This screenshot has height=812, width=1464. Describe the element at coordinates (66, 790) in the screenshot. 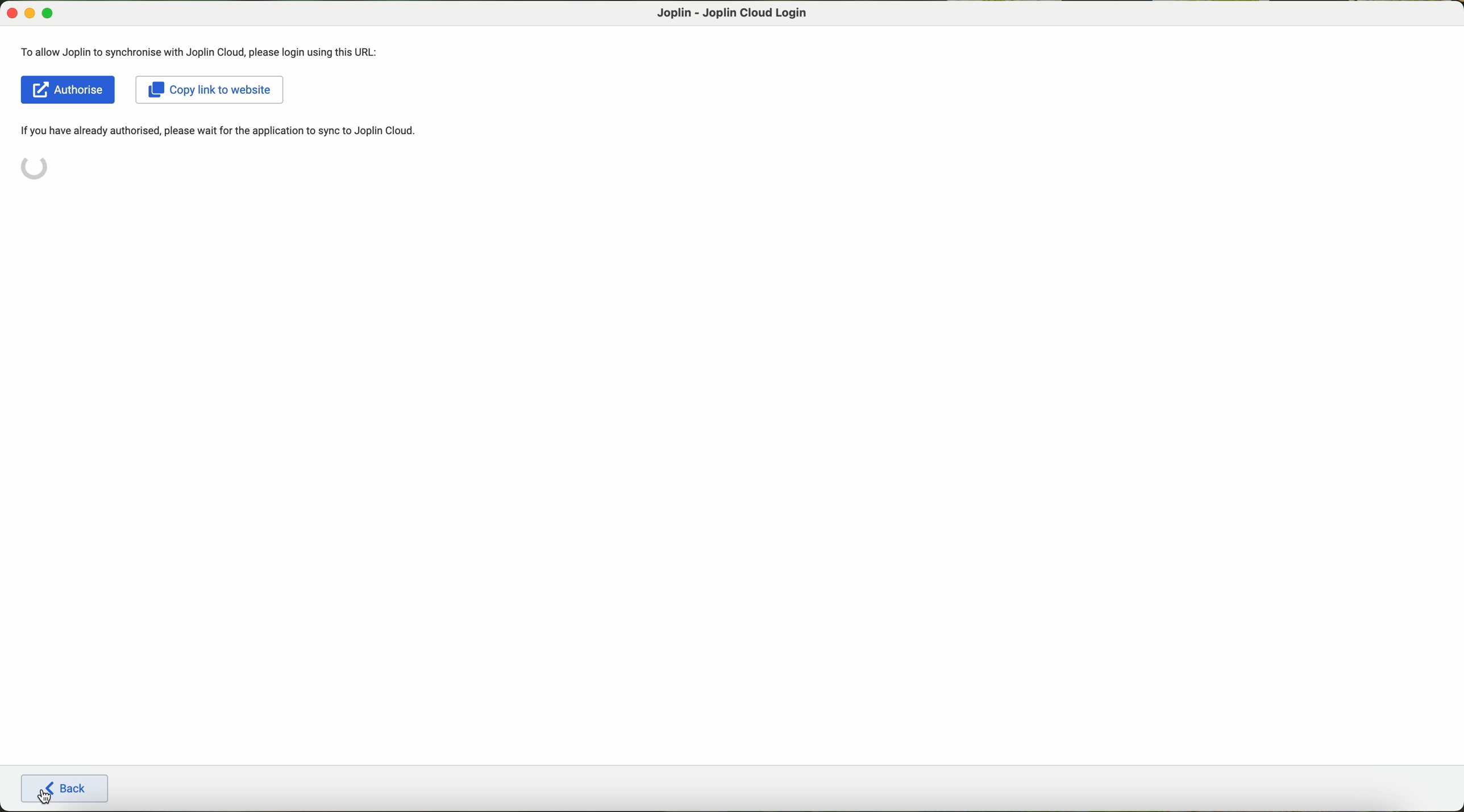

I see `click on back button` at that location.